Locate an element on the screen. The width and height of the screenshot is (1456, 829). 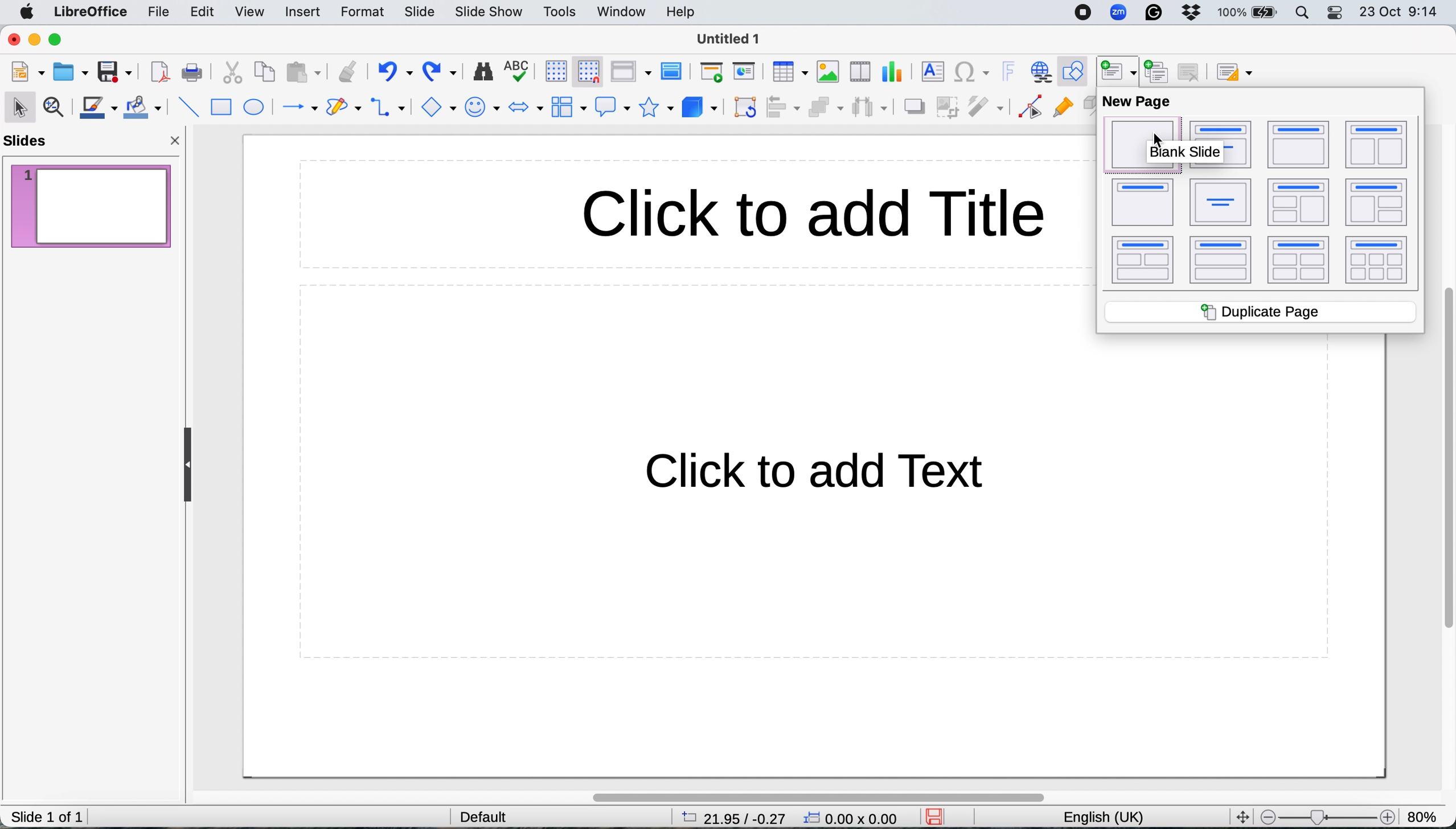
maximise is located at coordinates (57, 40).